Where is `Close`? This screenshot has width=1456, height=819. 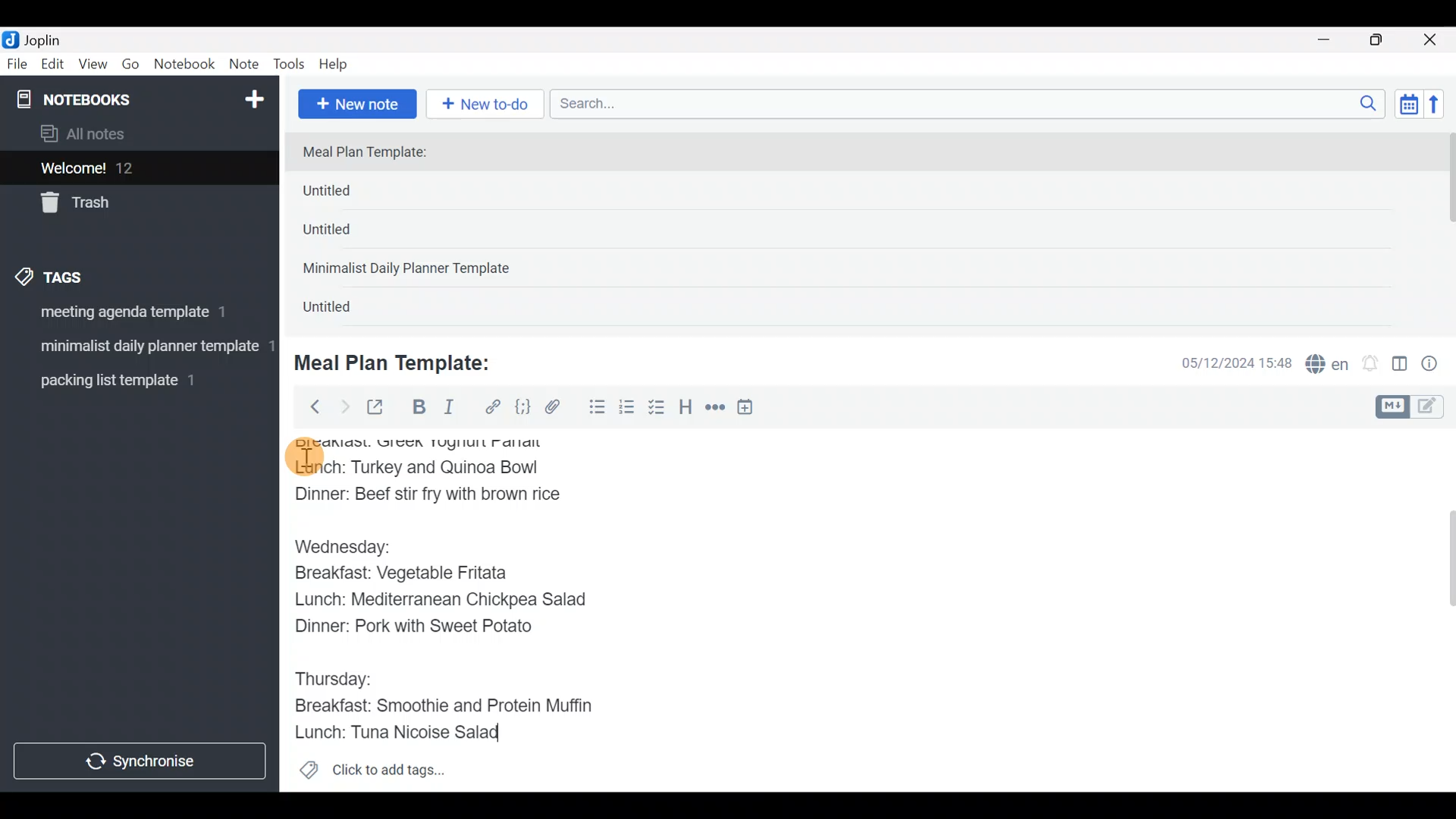 Close is located at coordinates (1432, 41).